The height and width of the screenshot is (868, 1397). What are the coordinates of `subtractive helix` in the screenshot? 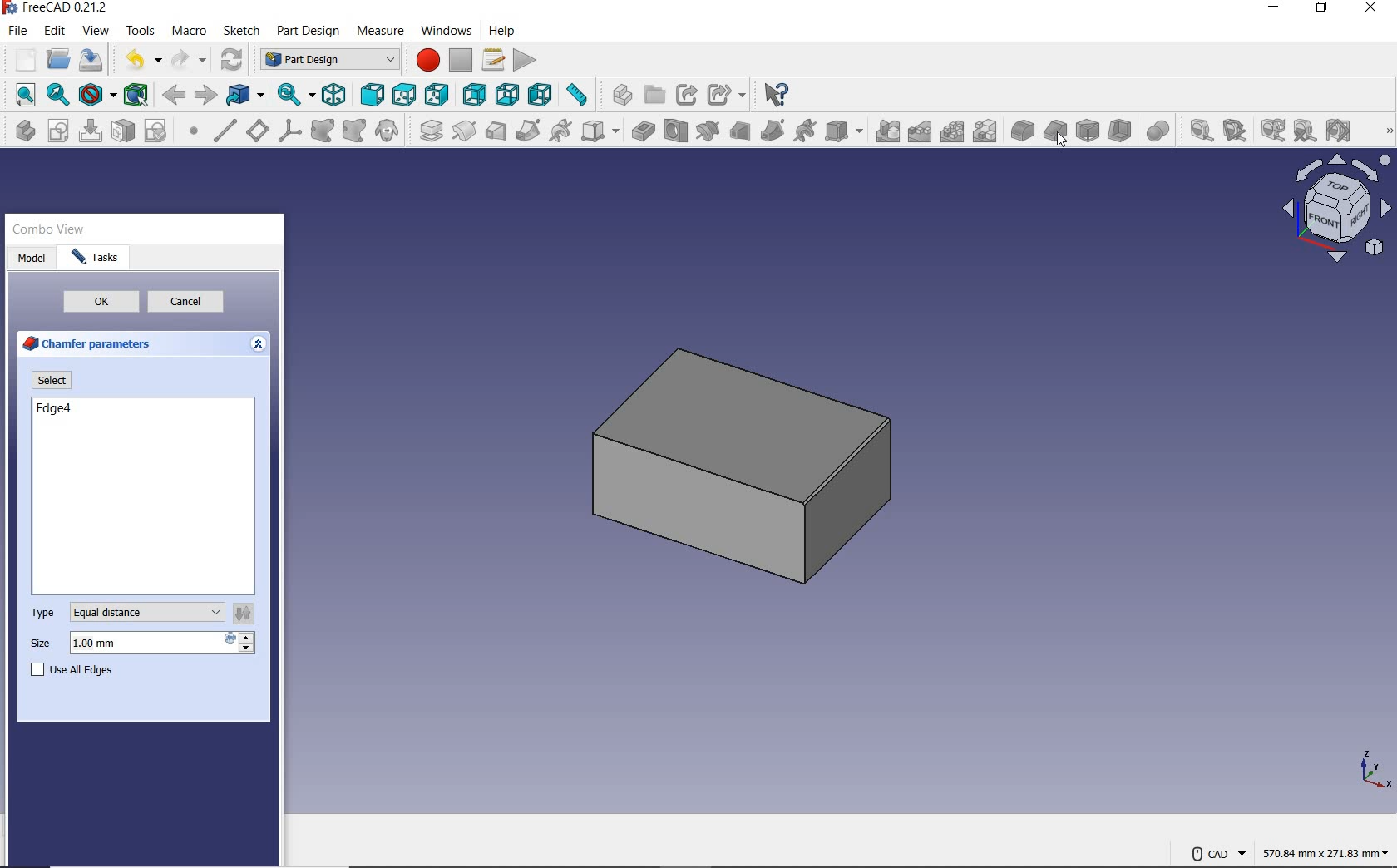 It's located at (807, 131).